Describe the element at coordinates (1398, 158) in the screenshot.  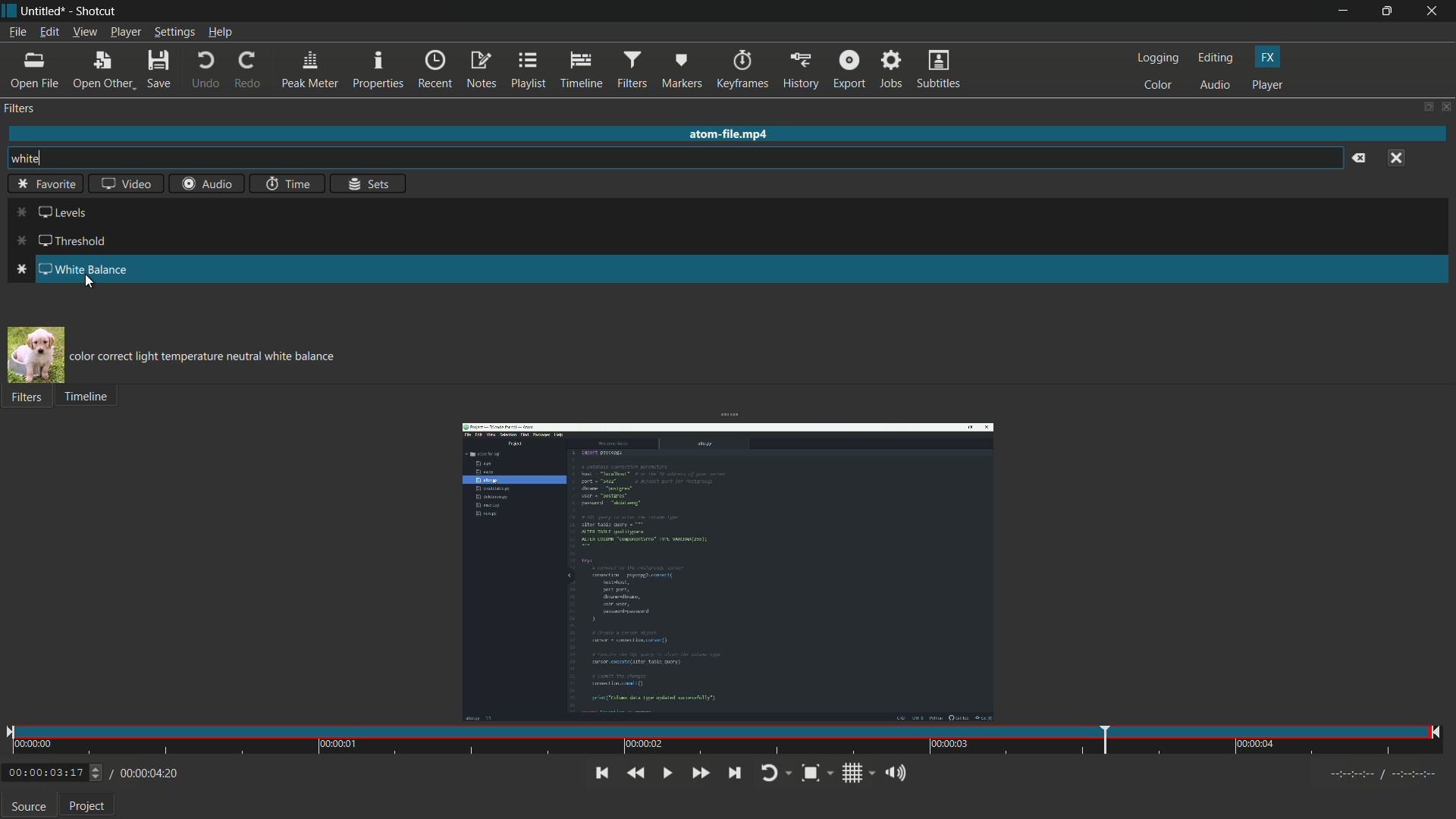
I see `close menu` at that location.